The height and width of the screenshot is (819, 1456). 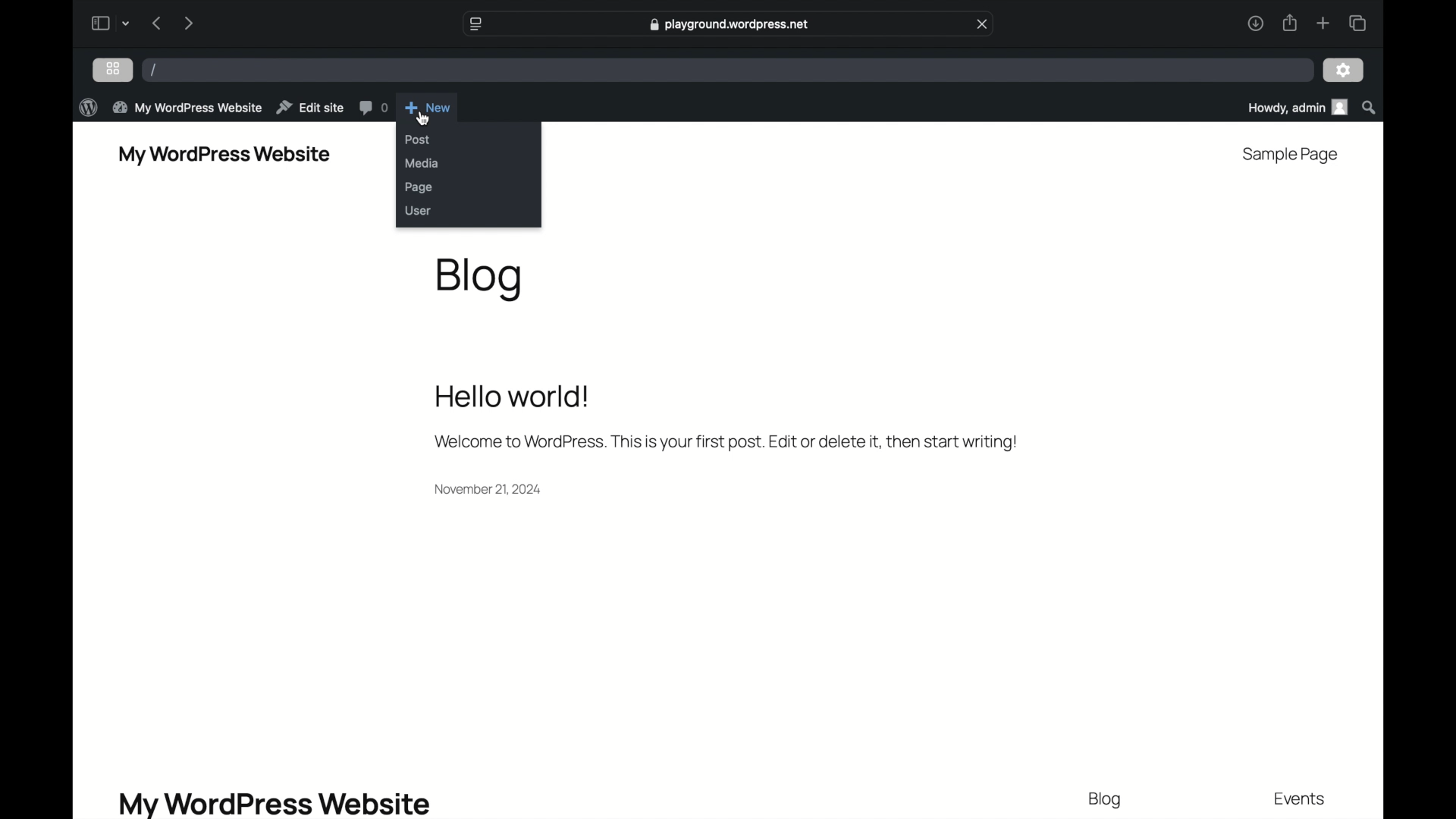 I want to click on new, so click(x=428, y=107).